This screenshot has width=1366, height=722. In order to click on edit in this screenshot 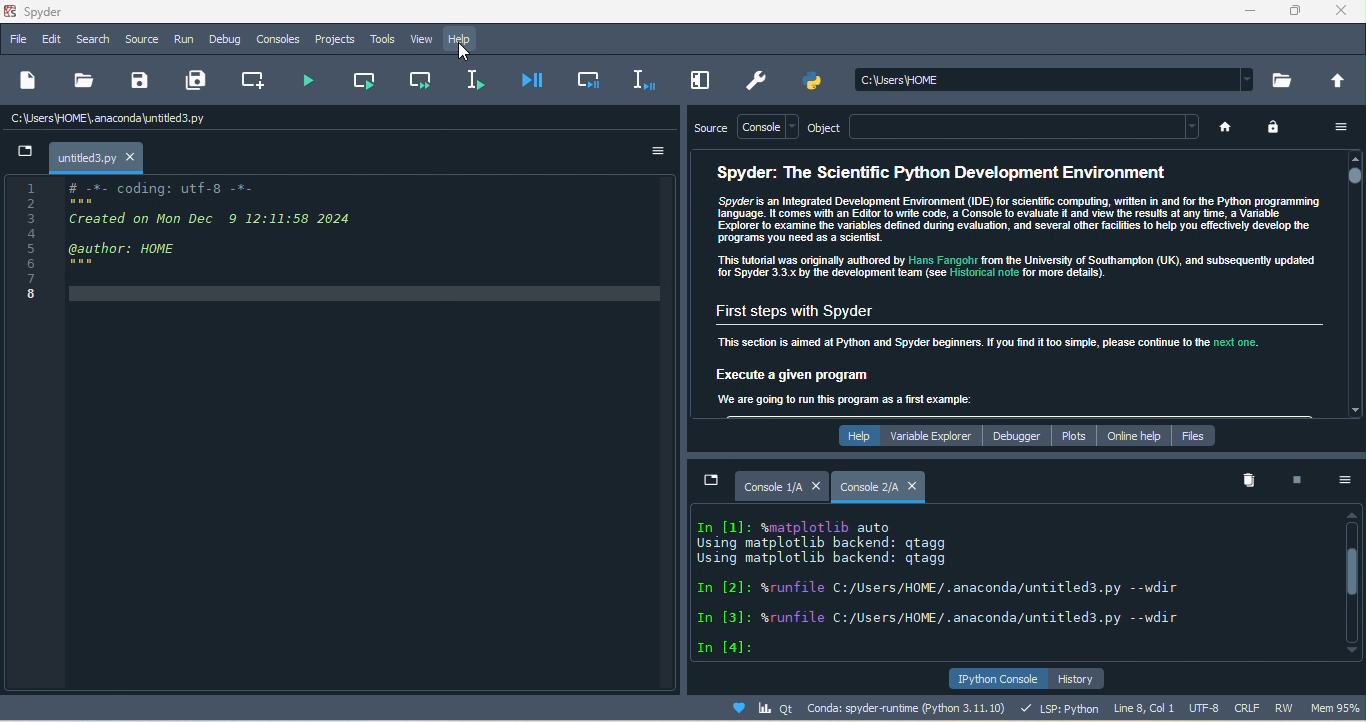, I will do `click(48, 39)`.